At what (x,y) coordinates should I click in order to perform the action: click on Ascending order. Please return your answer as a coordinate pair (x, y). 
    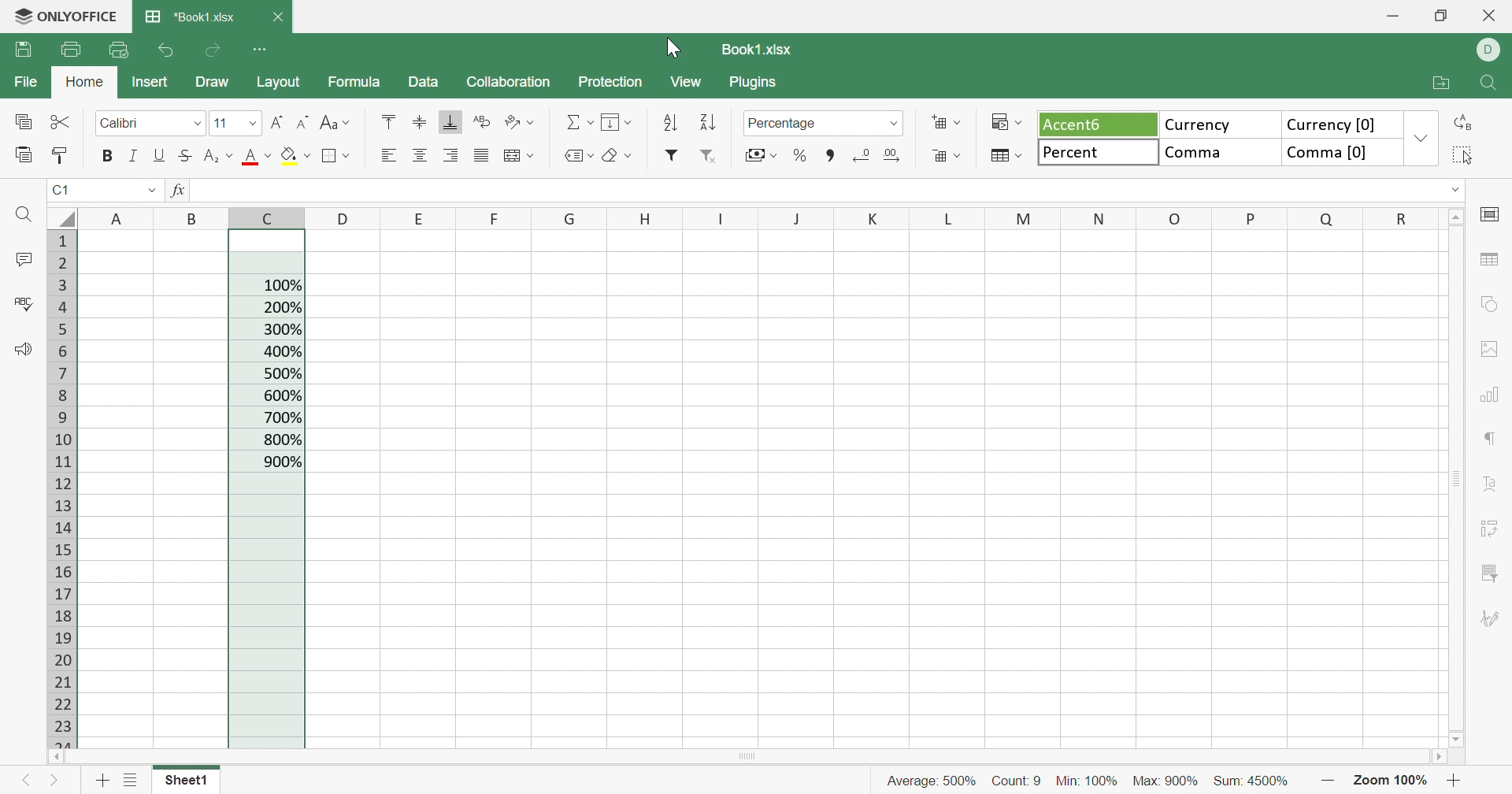
    Looking at the image, I should click on (670, 122).